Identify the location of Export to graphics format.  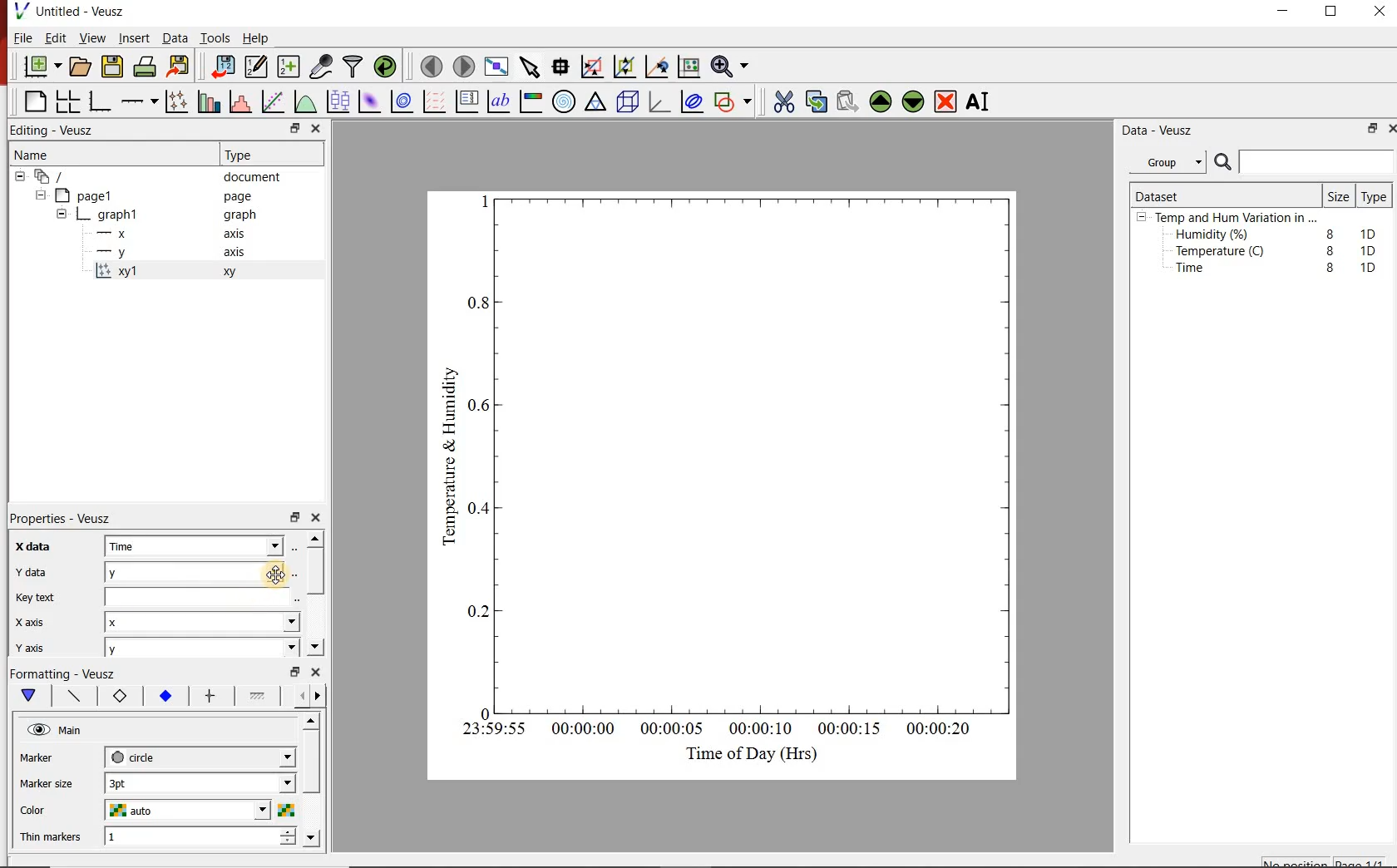
(180, 66).